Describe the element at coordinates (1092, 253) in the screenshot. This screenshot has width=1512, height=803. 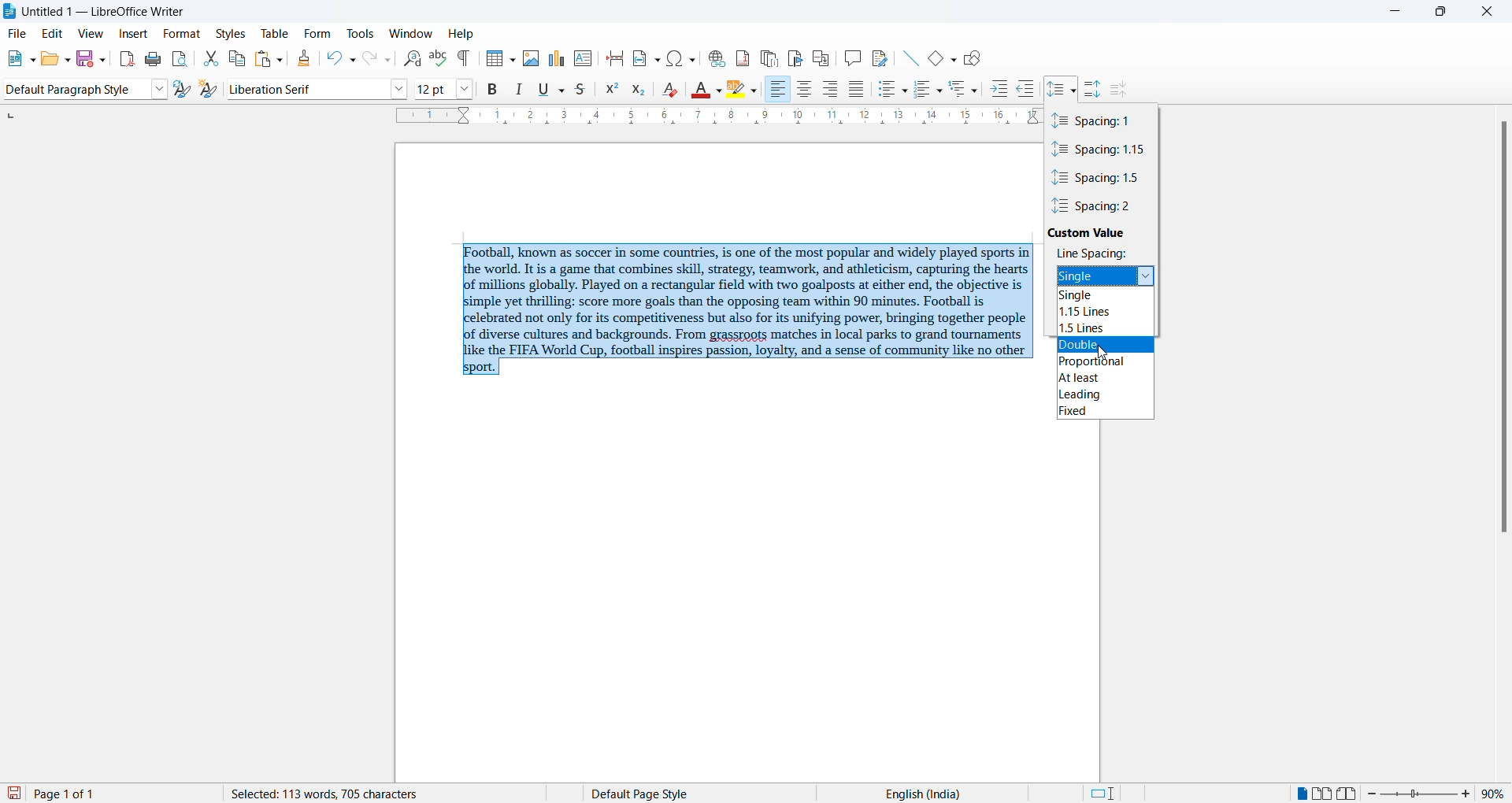
I see `line spacing` at that location.